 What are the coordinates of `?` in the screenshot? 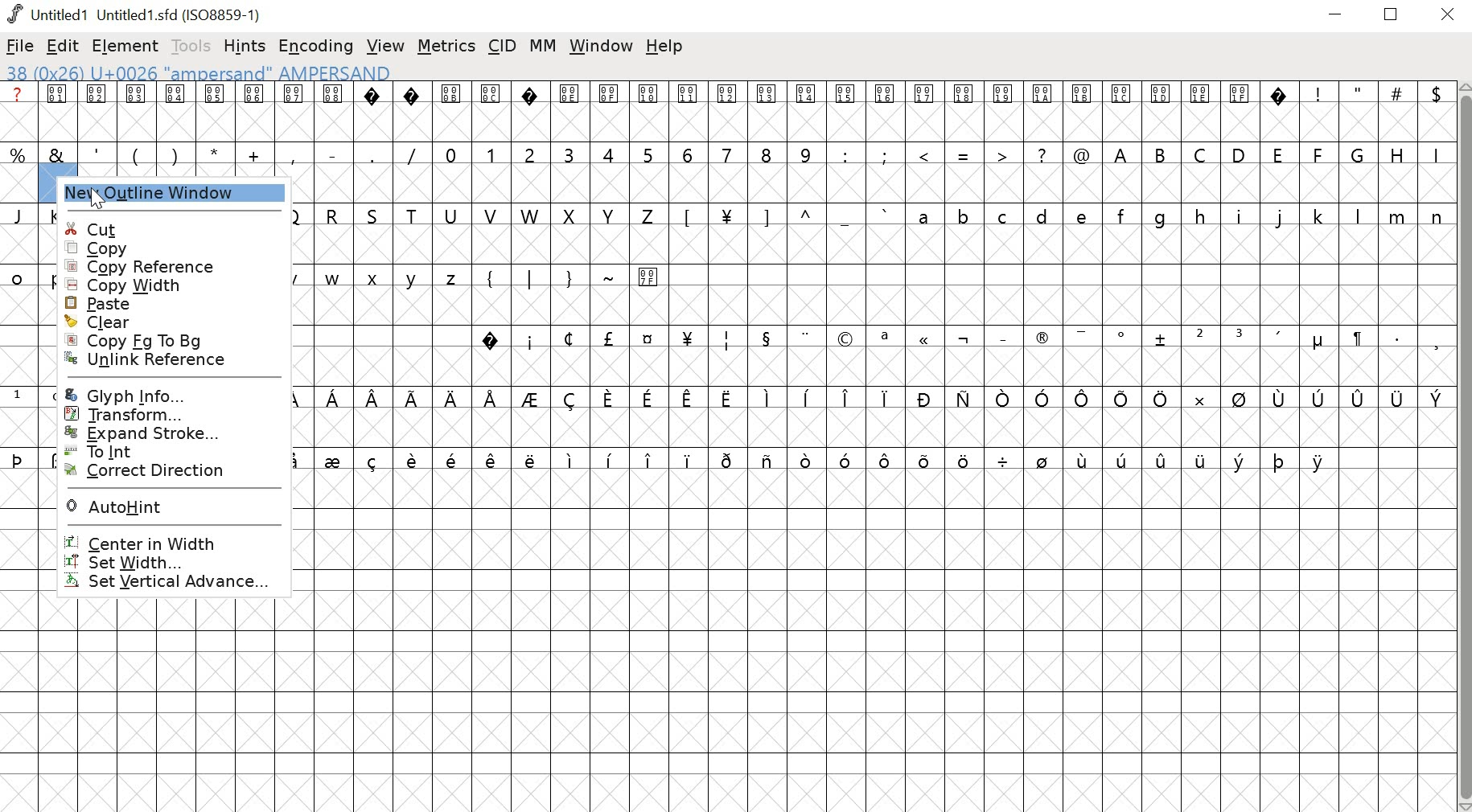 It's located at (1043, 154).